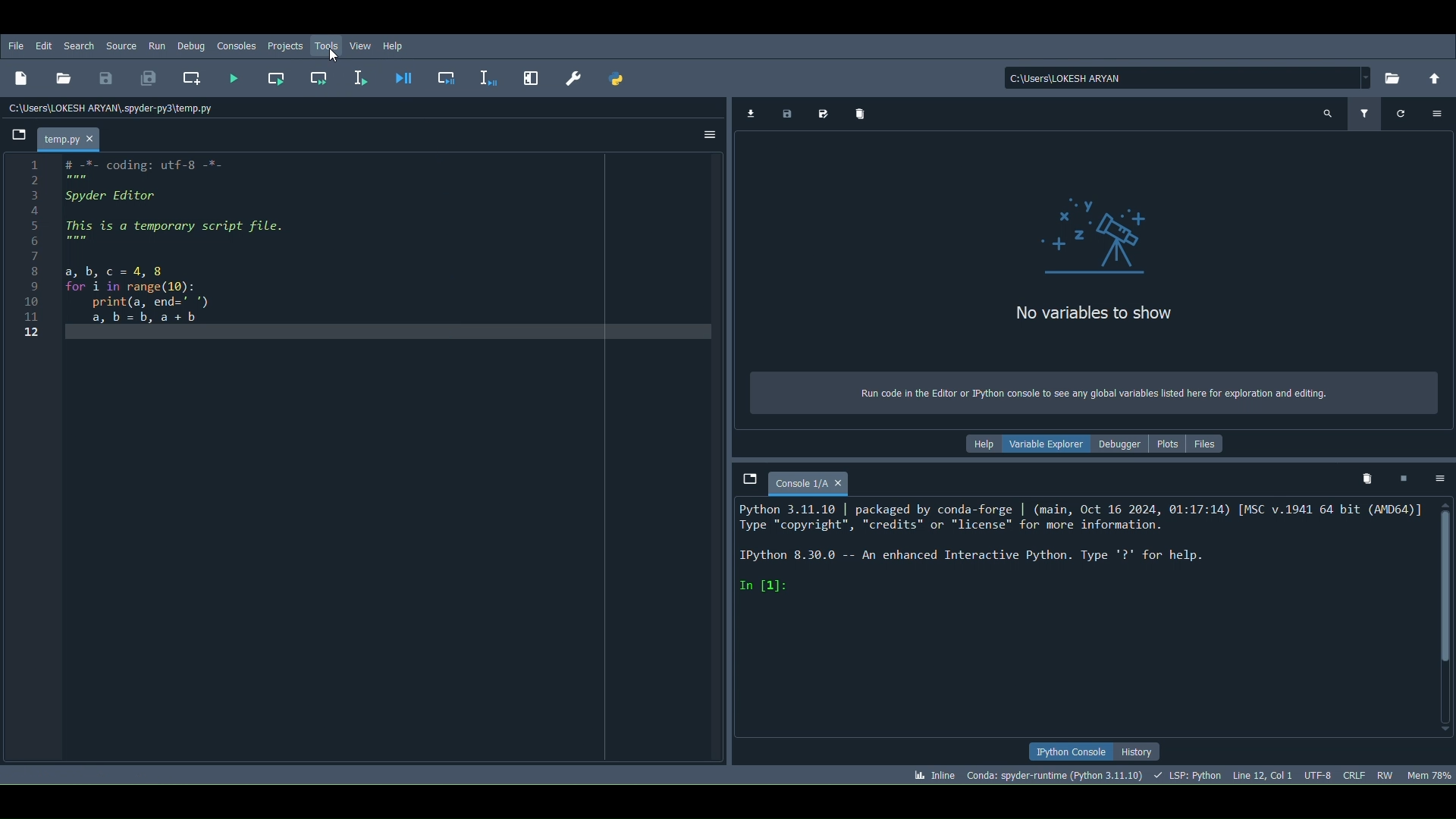  What do you see at coordinates (404, 74) in the screenshot?
I see `Debug file (Ctrl + F5)` at bounding box center [404, 74].